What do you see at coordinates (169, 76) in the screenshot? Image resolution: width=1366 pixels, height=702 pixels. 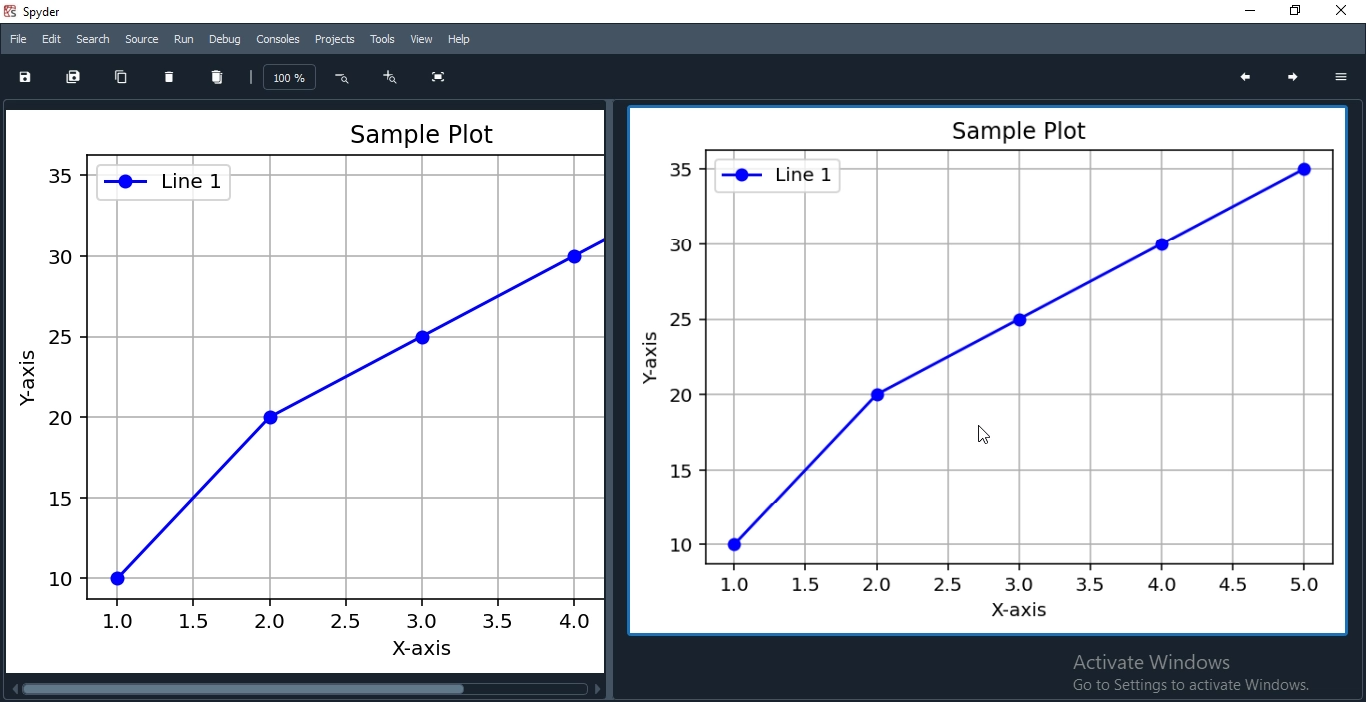 I see `delete` at bounding box center [169, 76].